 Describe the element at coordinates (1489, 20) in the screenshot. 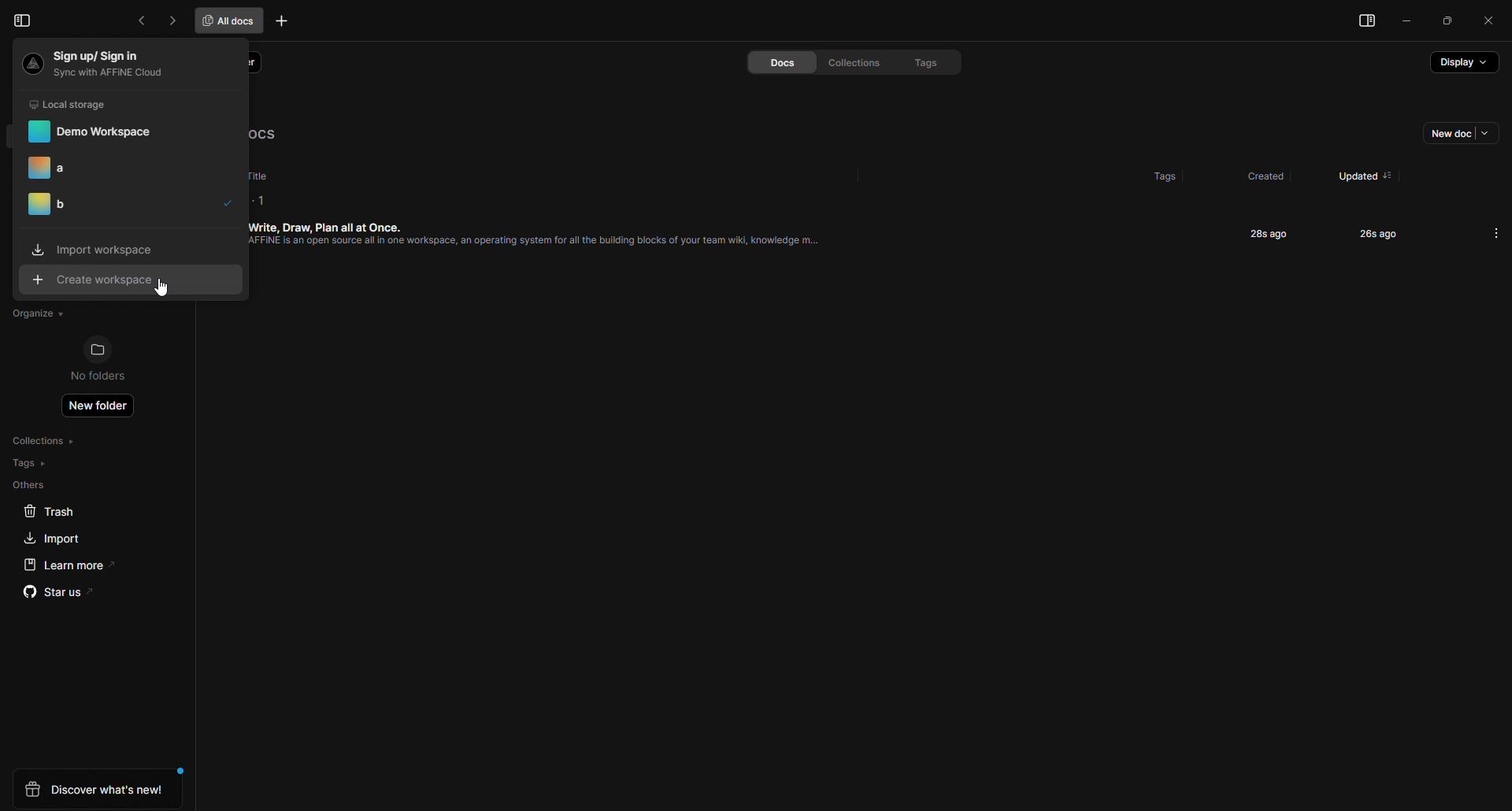

I see `close` at that location.